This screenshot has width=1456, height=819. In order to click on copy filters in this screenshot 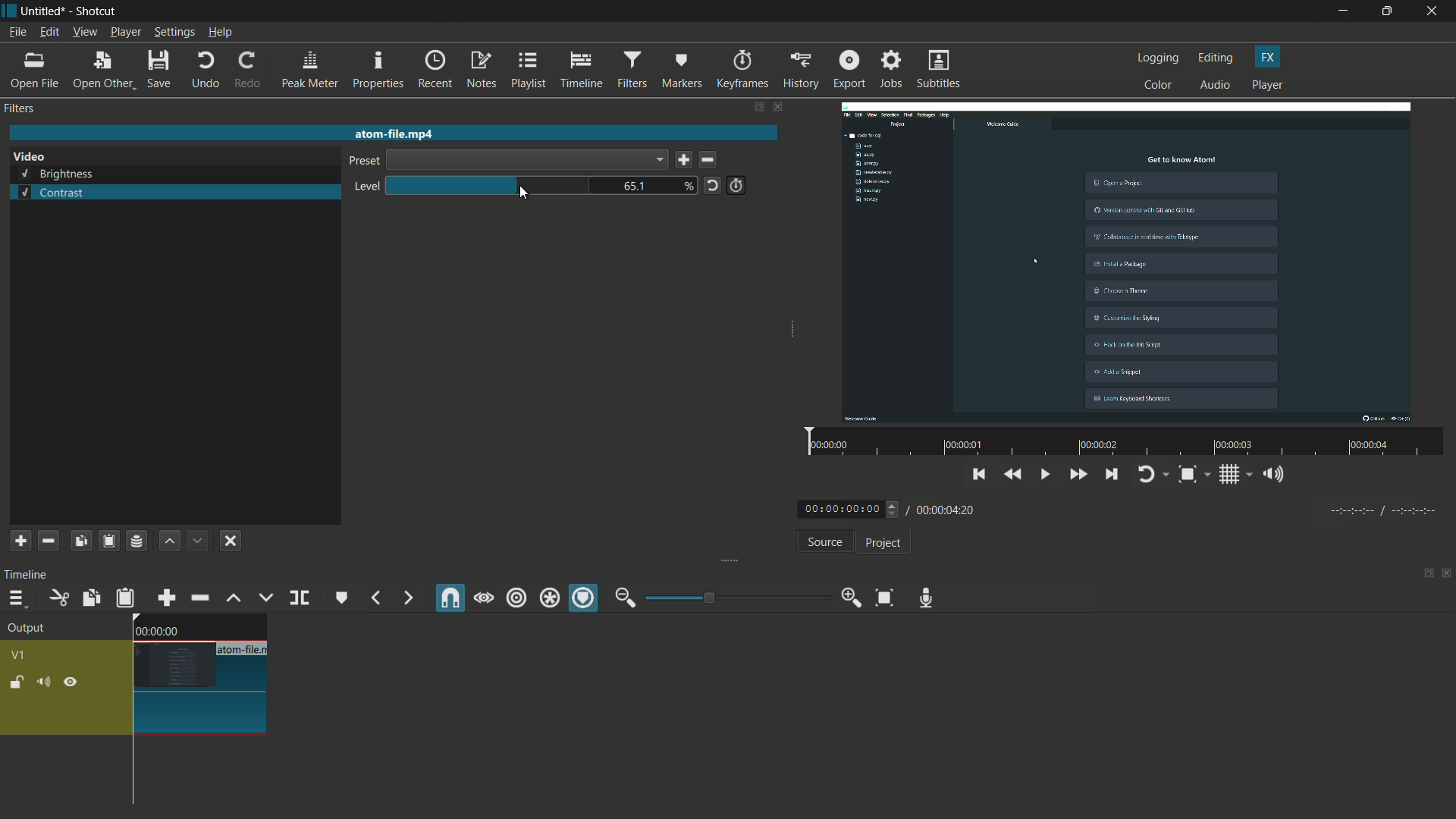, I will do `click(80, 541)`.